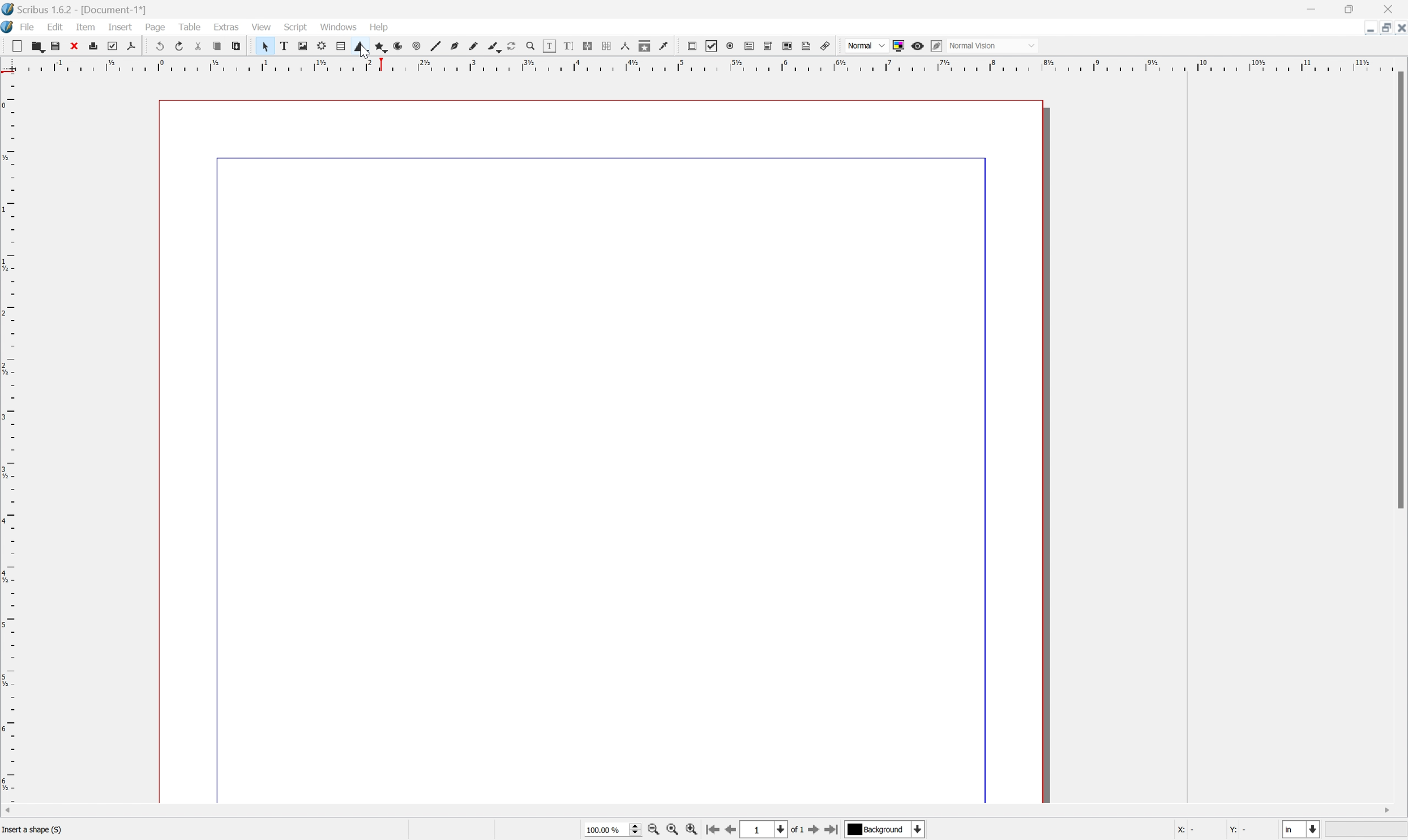 The width and height of the screenshot is (1408, 840). I want to click on Preview mode, so click(917, 46).